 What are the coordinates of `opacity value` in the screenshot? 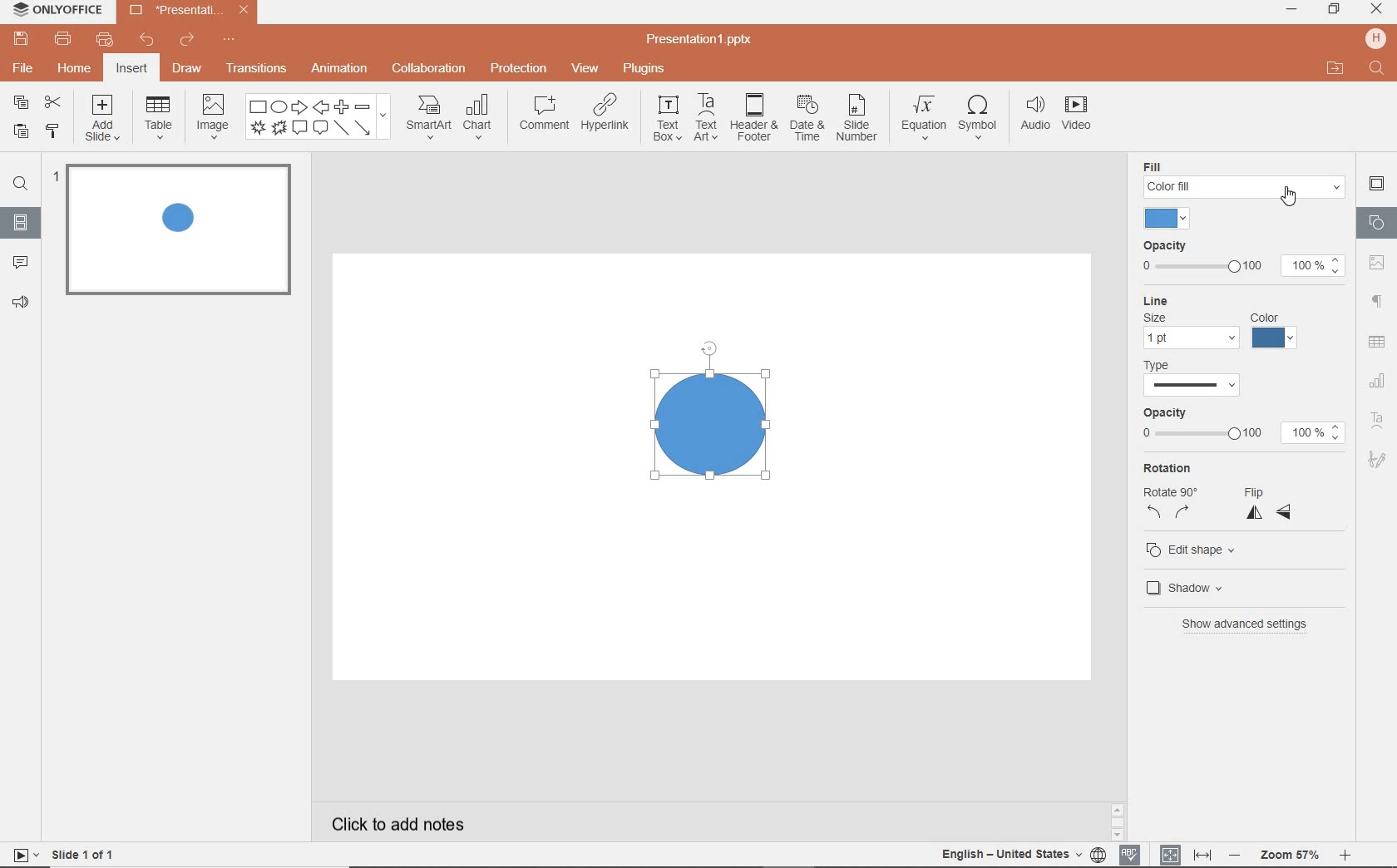 It's located at (1319, 267).